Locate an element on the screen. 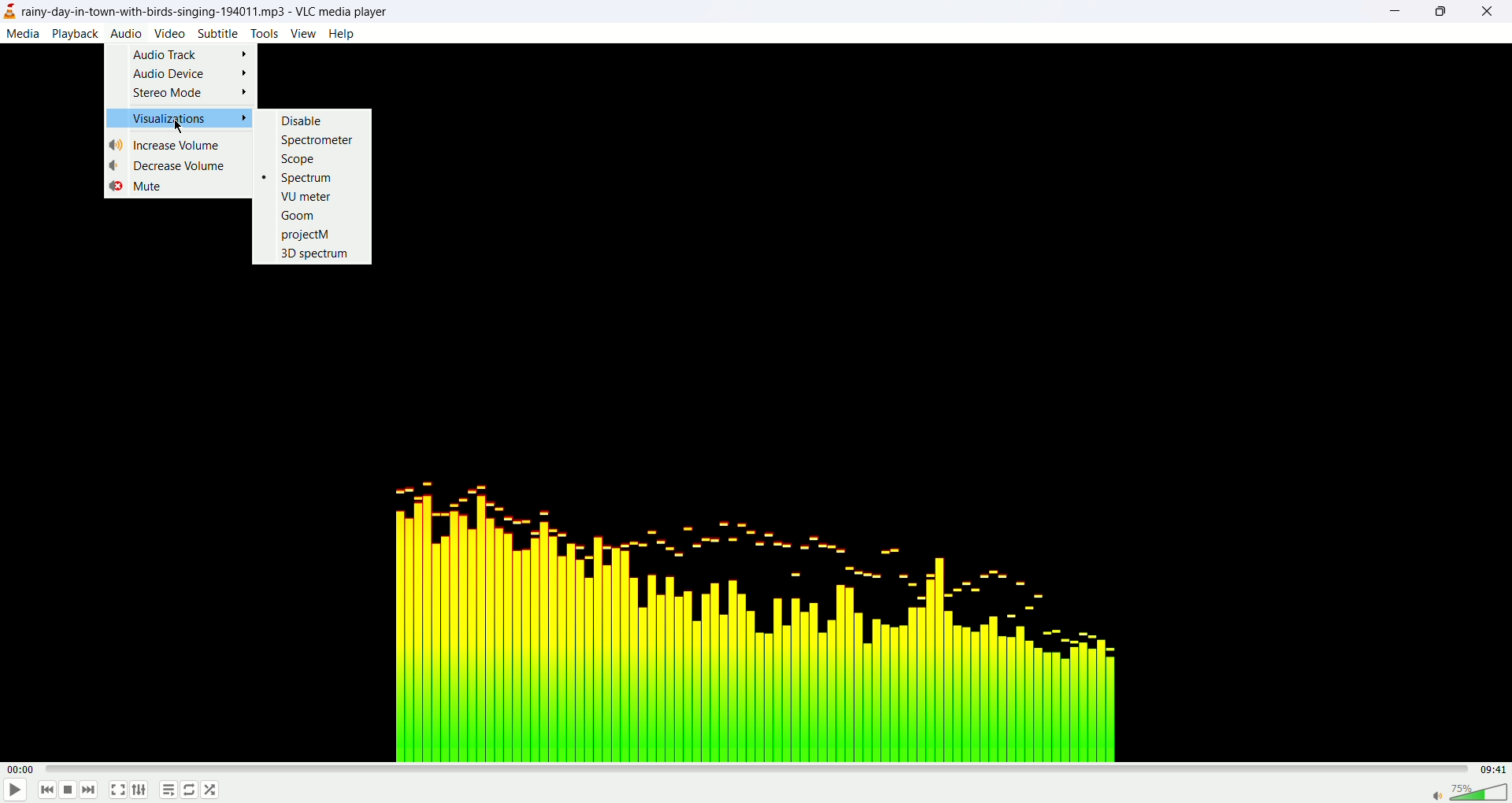 This screenshot has width=1512, height=803. visualization is located at coordinates (178, 118).